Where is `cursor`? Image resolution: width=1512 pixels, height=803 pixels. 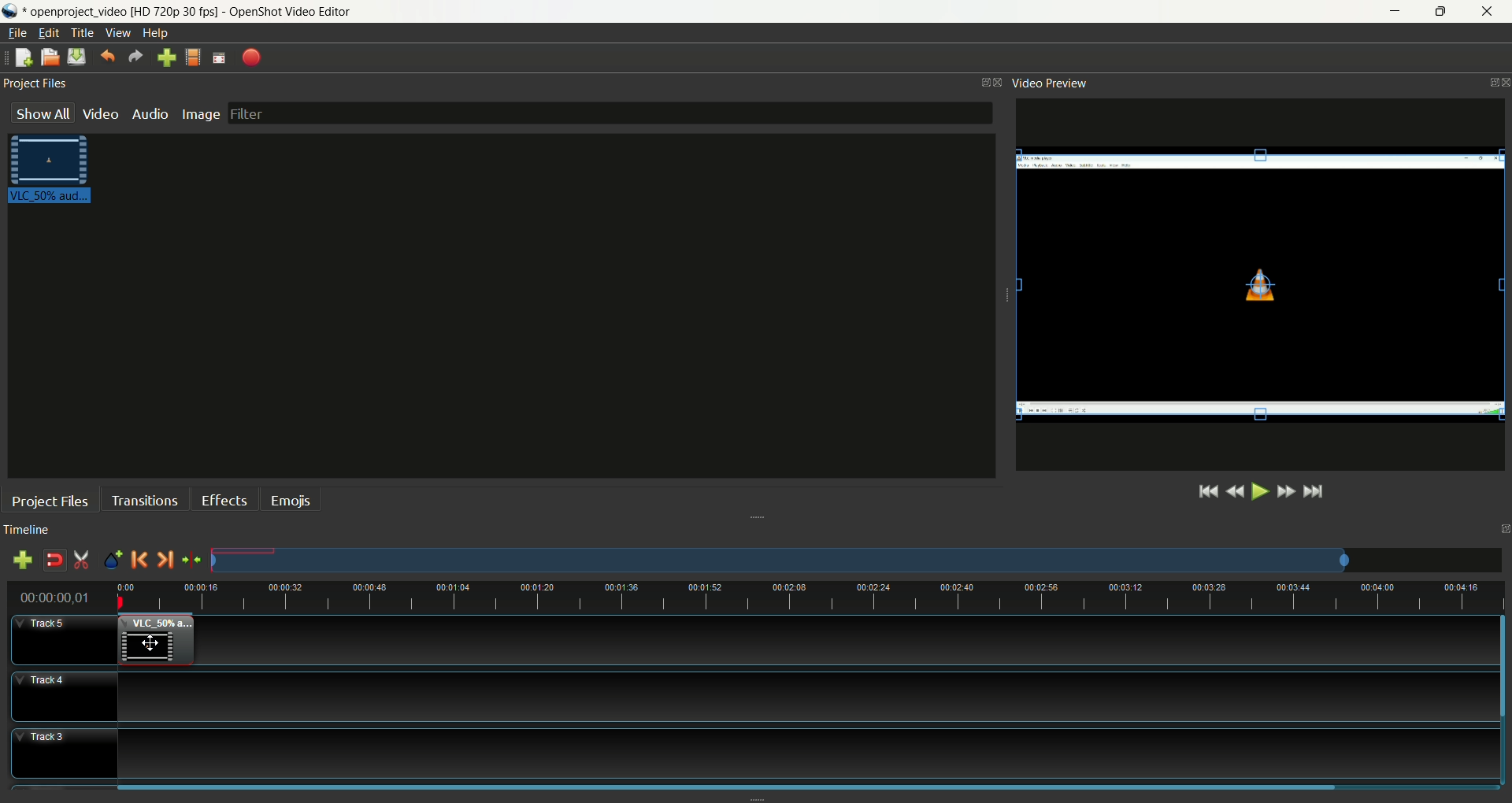 cursor is located at coordinates (155, 645).